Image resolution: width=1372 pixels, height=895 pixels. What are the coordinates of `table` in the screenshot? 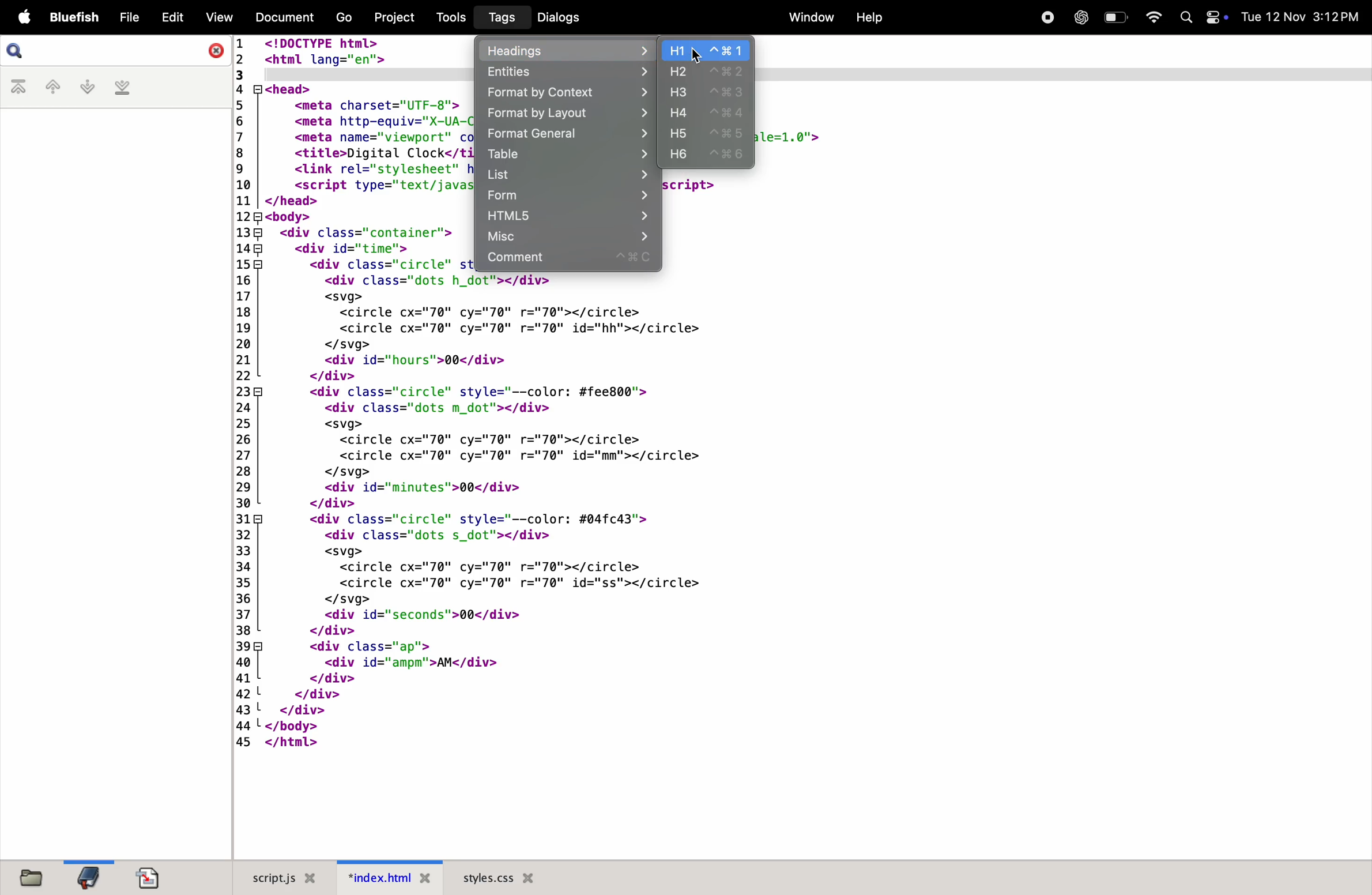 It's located at (568, 155).